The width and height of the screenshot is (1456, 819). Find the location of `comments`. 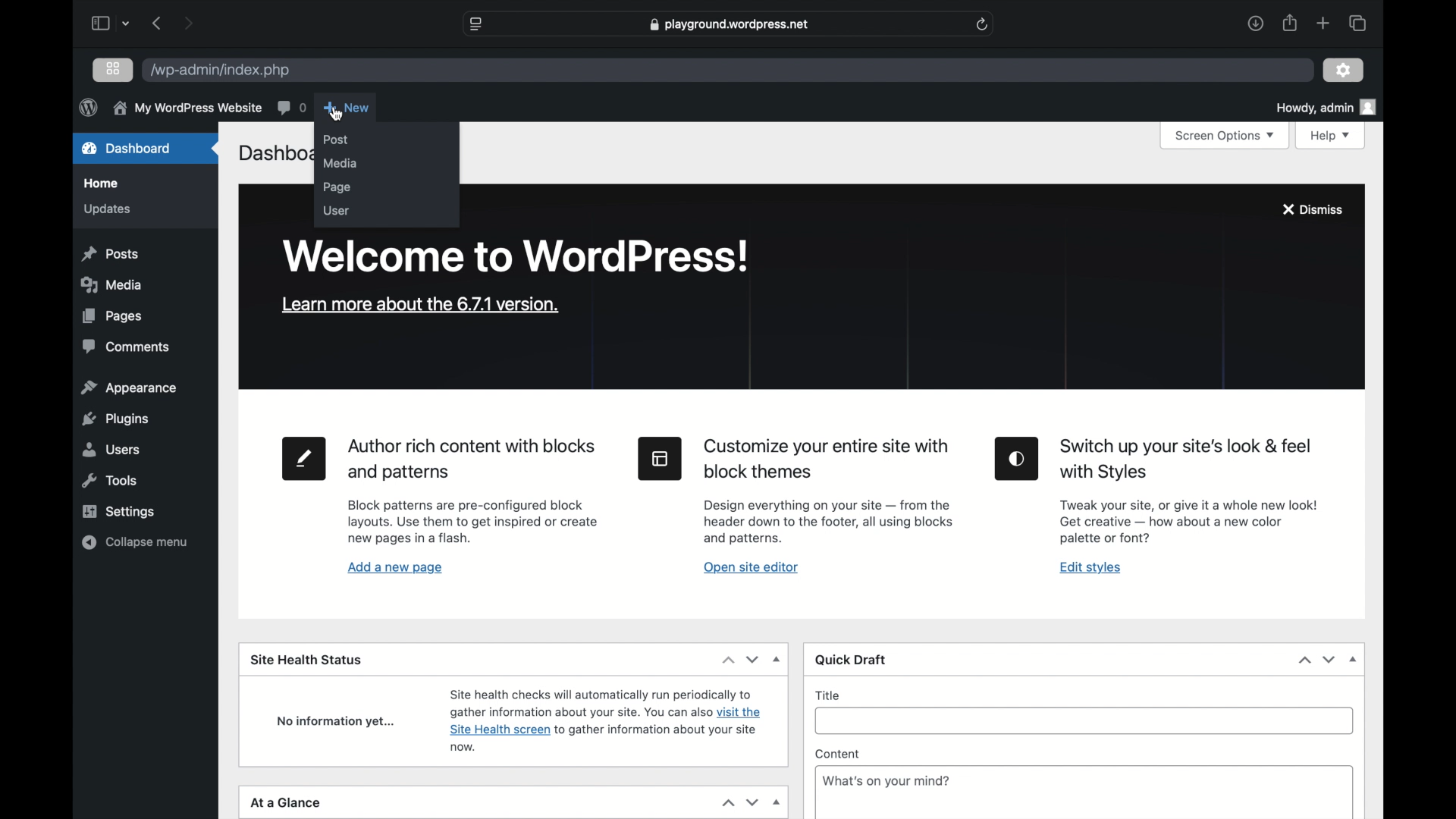

comments is located at coordinates (127, 347).